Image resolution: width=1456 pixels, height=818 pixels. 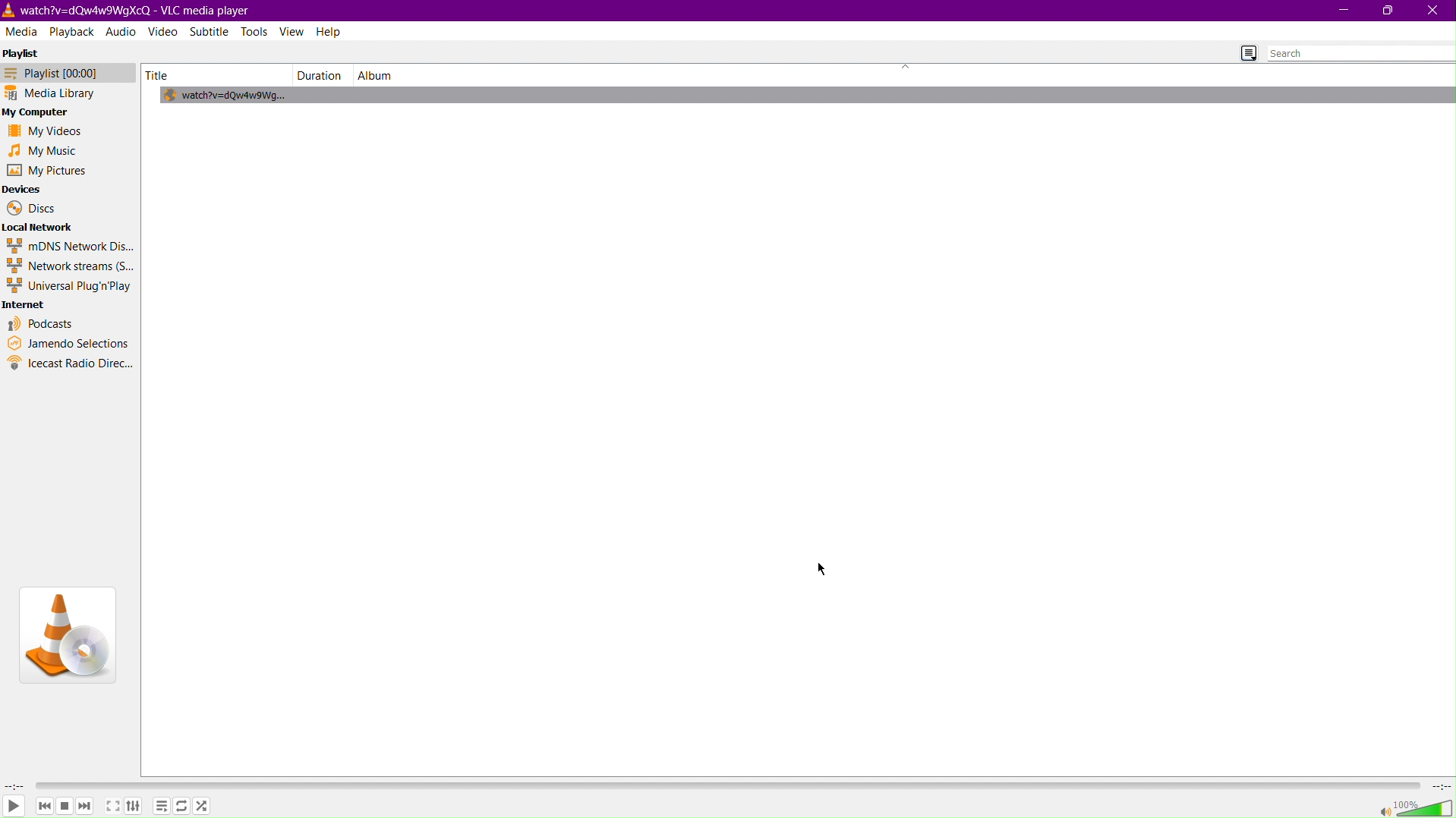 I want to click on Timeline, so click(x=725, y=785).